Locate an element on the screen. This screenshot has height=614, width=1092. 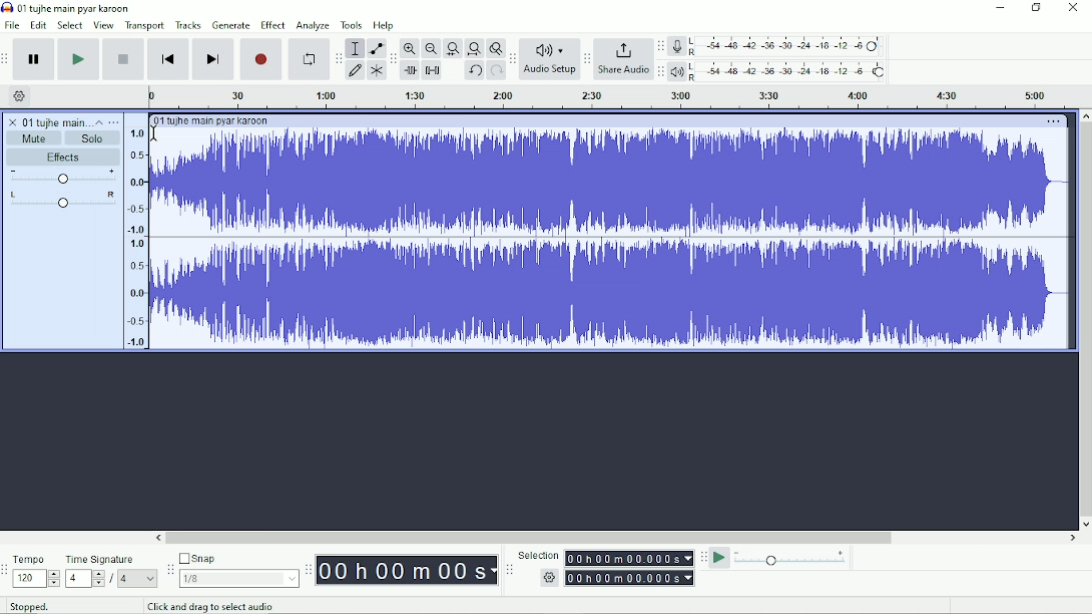
Record is located at coordinates (261, 59).